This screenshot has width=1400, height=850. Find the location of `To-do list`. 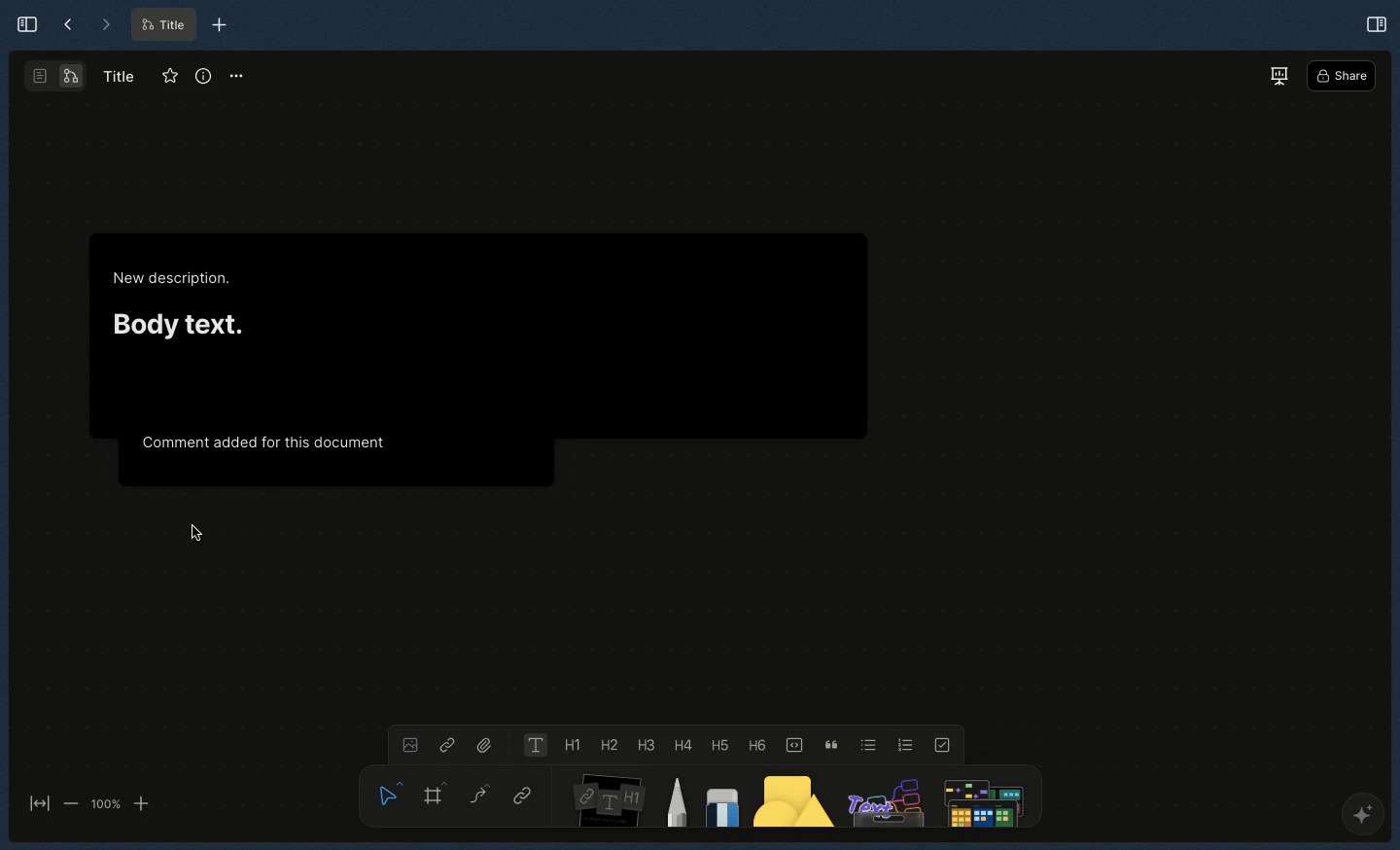

To-do list is located at coordinates (945, 744).